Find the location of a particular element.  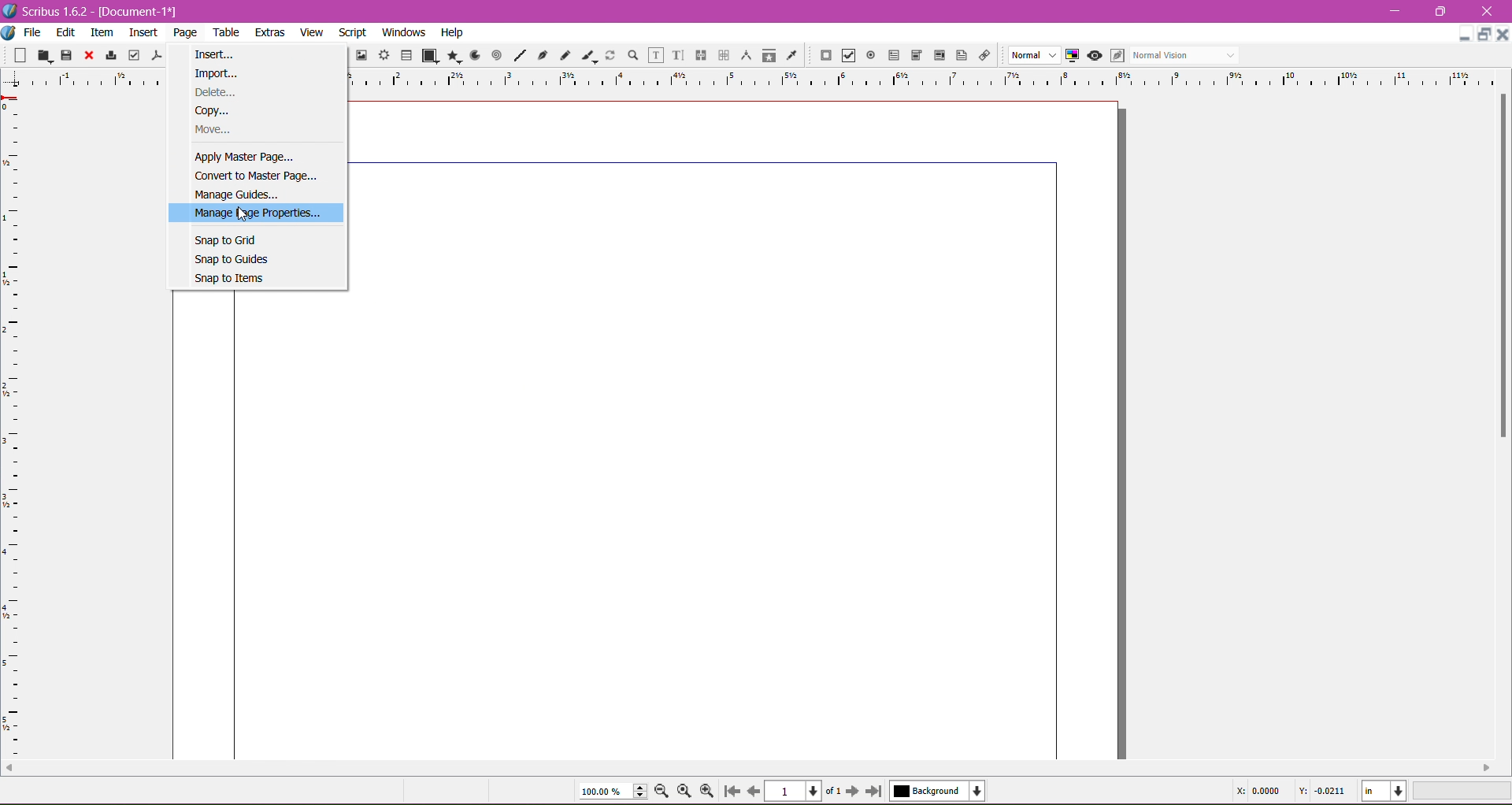

Close is located at coordinates (1481, 12).